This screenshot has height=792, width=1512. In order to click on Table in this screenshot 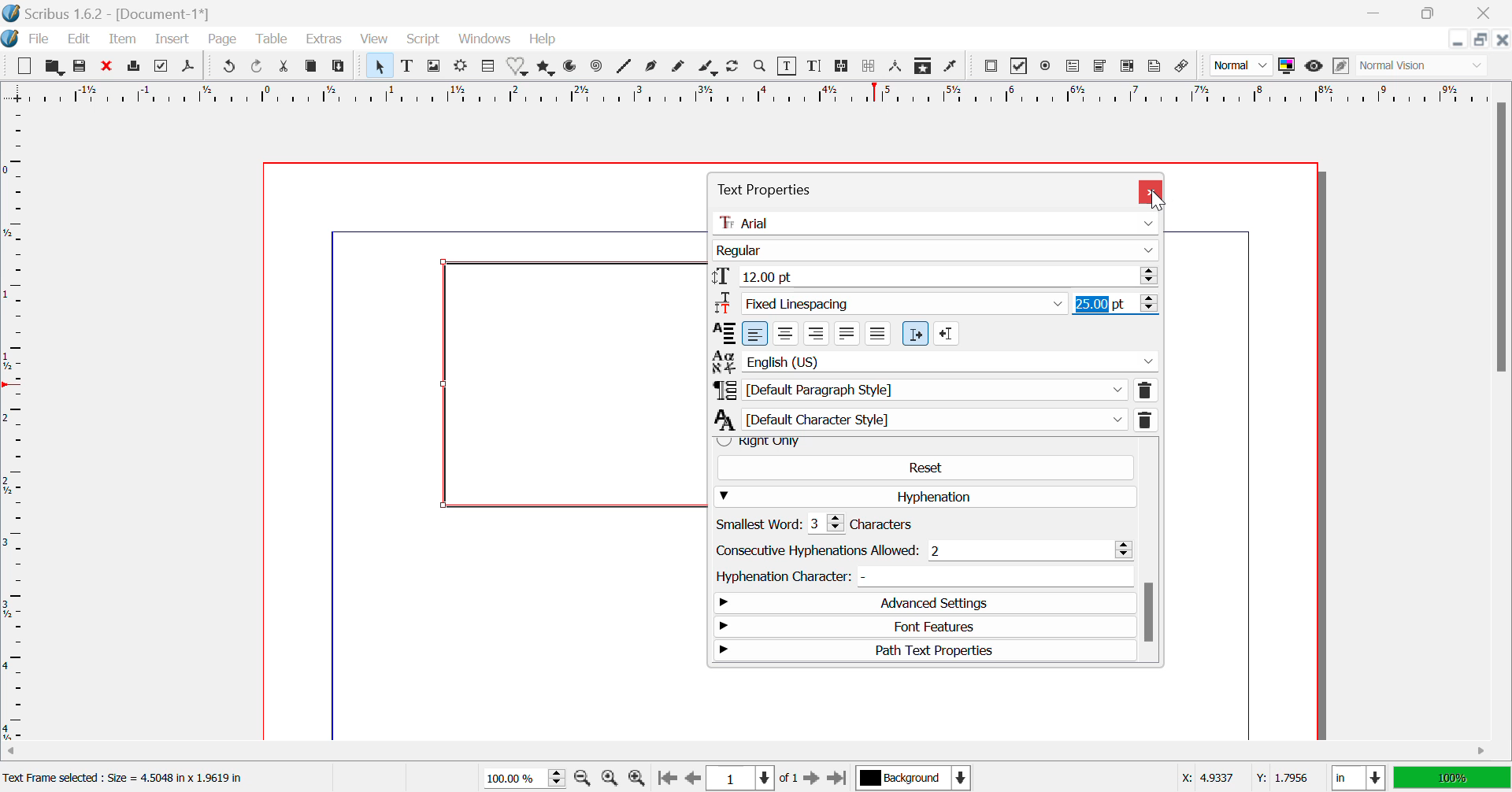, I will do `click(488, 67)`.